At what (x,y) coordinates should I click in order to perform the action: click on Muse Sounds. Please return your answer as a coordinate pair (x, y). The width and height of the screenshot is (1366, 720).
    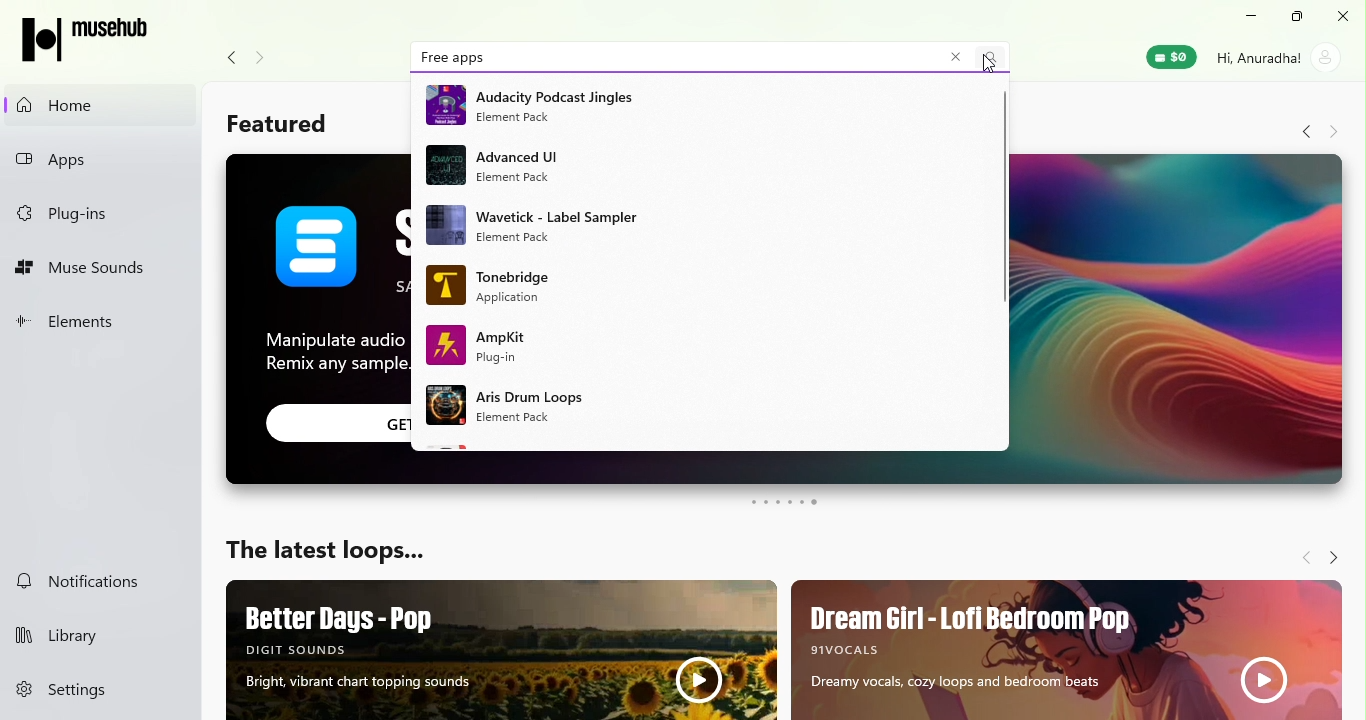
    Looking at the image, I should click on (94, 270).